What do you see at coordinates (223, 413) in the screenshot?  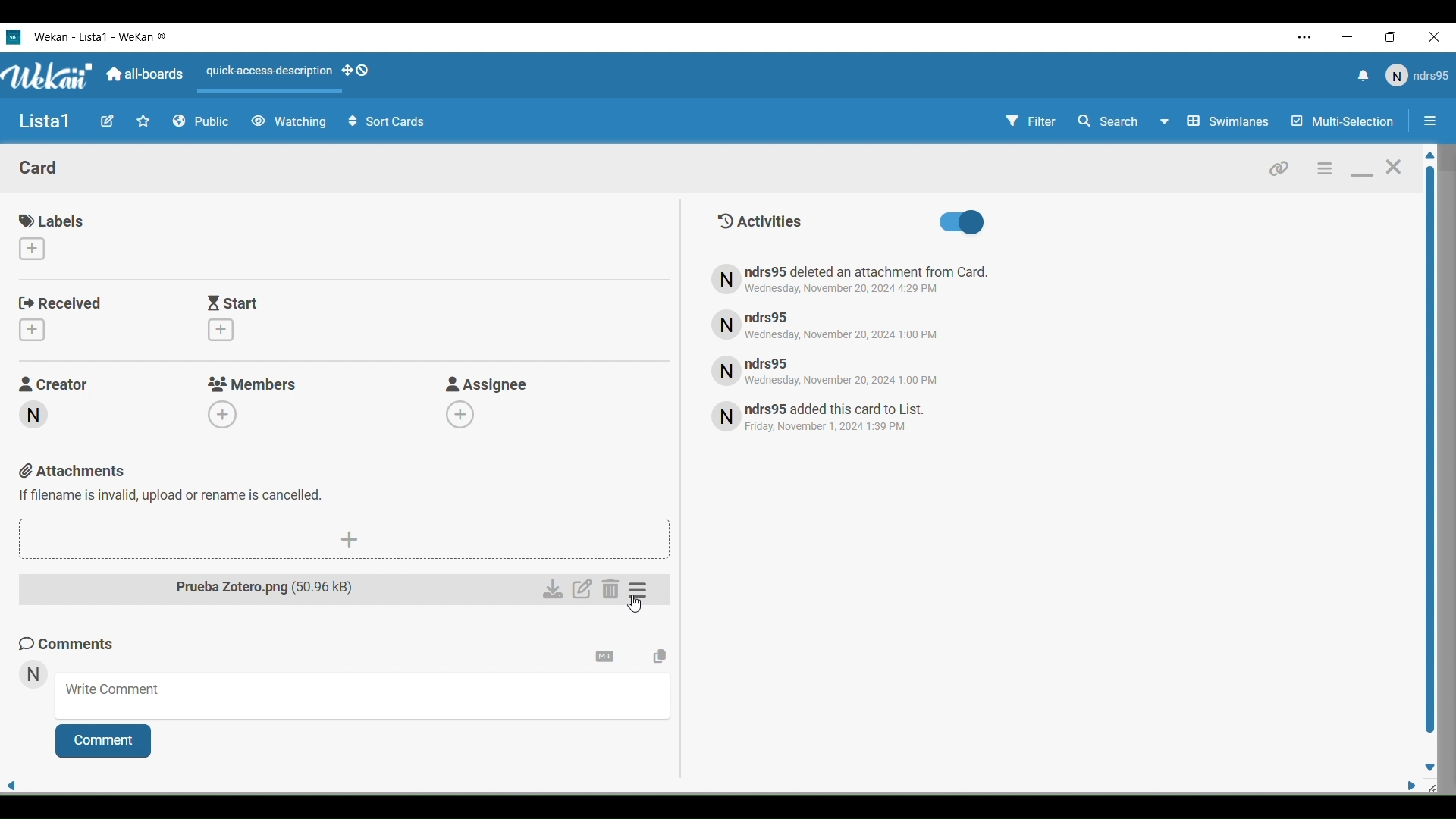 I see `Add members` at bounding box center [223, 413].